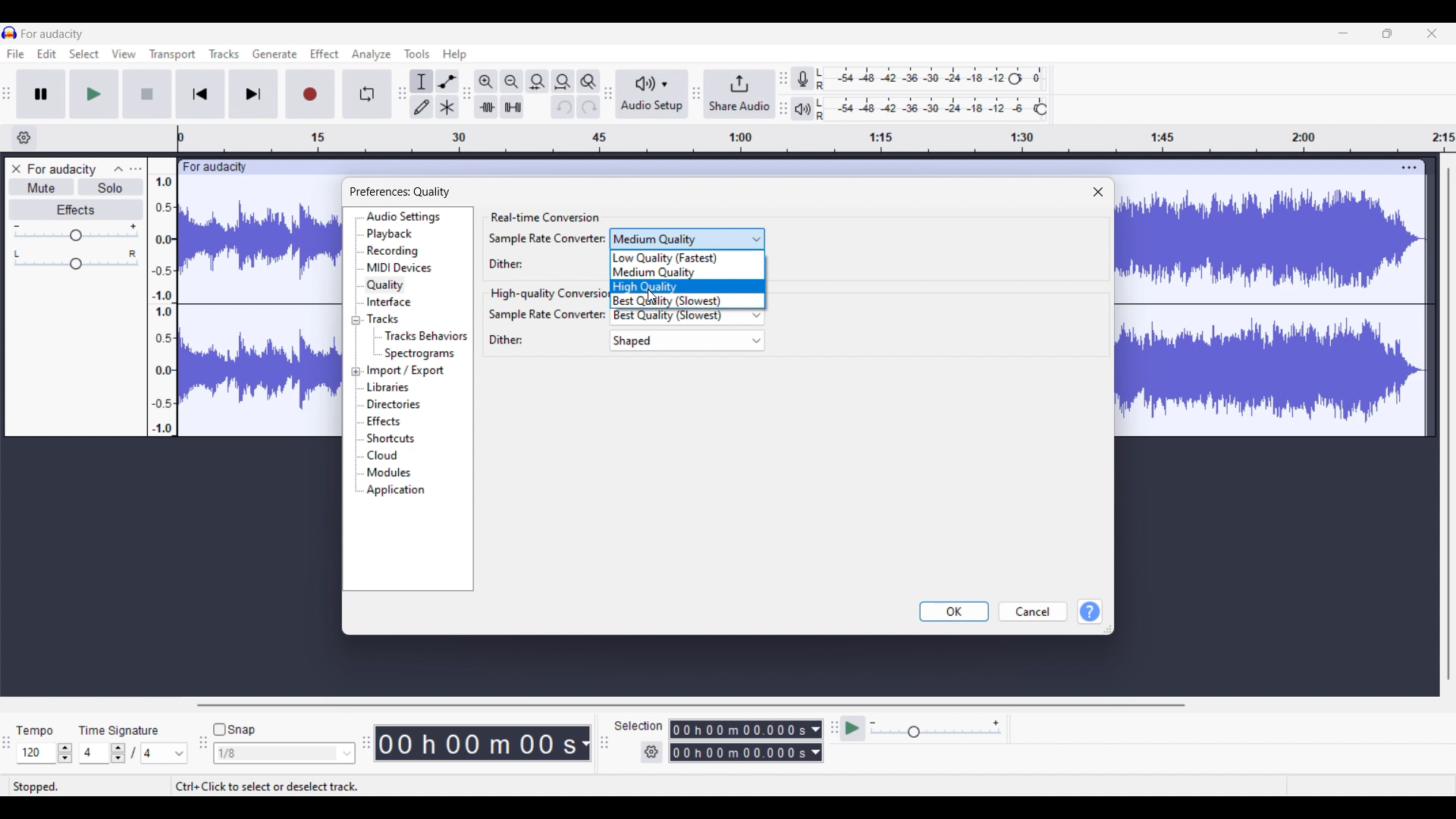 The width and height of the screenshot is (1456, 819). What do you see at coordinates (936, 729) in the screenshot?
I see `Scale to change playback speed` at bounding box center [936, 729].